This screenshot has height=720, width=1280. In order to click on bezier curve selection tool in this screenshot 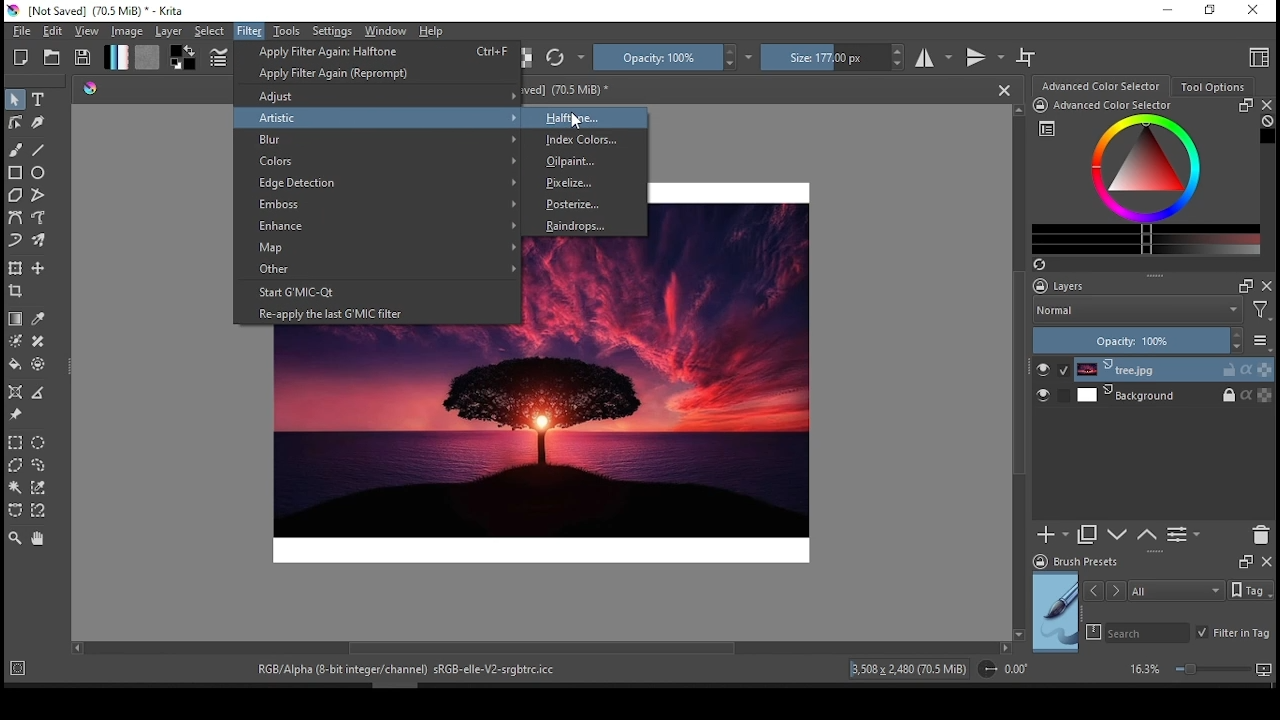, I will do `click(17, 511)`.